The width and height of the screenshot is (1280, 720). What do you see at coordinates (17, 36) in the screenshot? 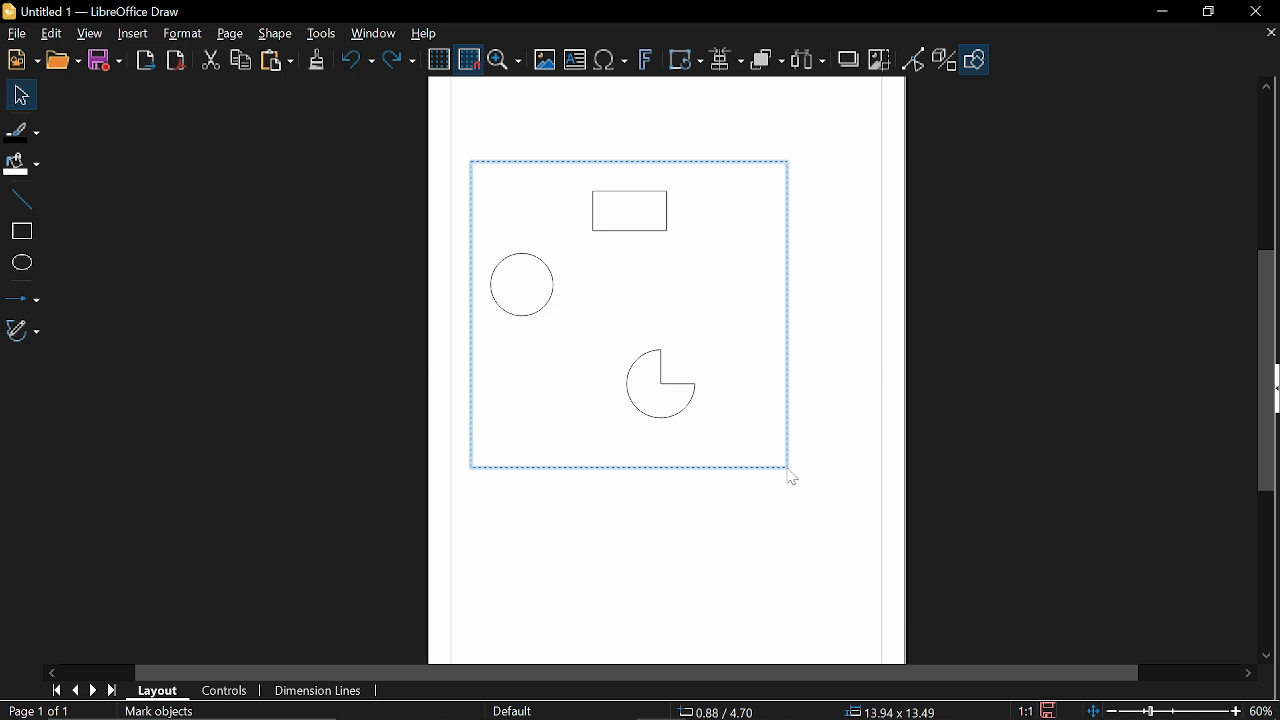
I see `File` at bounding box center [17, 36].